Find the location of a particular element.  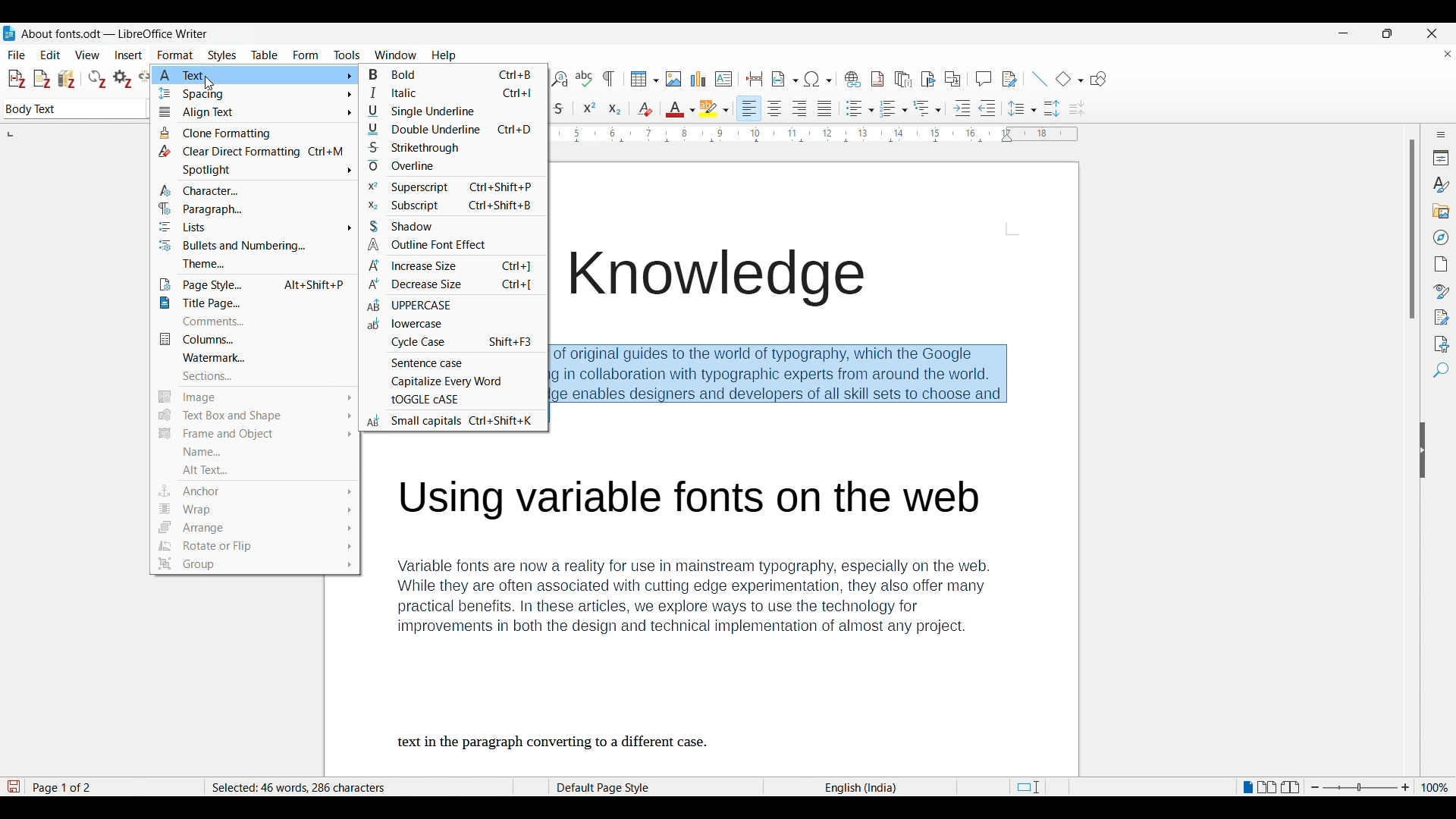

Insert menu is located at coordinates (128, 55).